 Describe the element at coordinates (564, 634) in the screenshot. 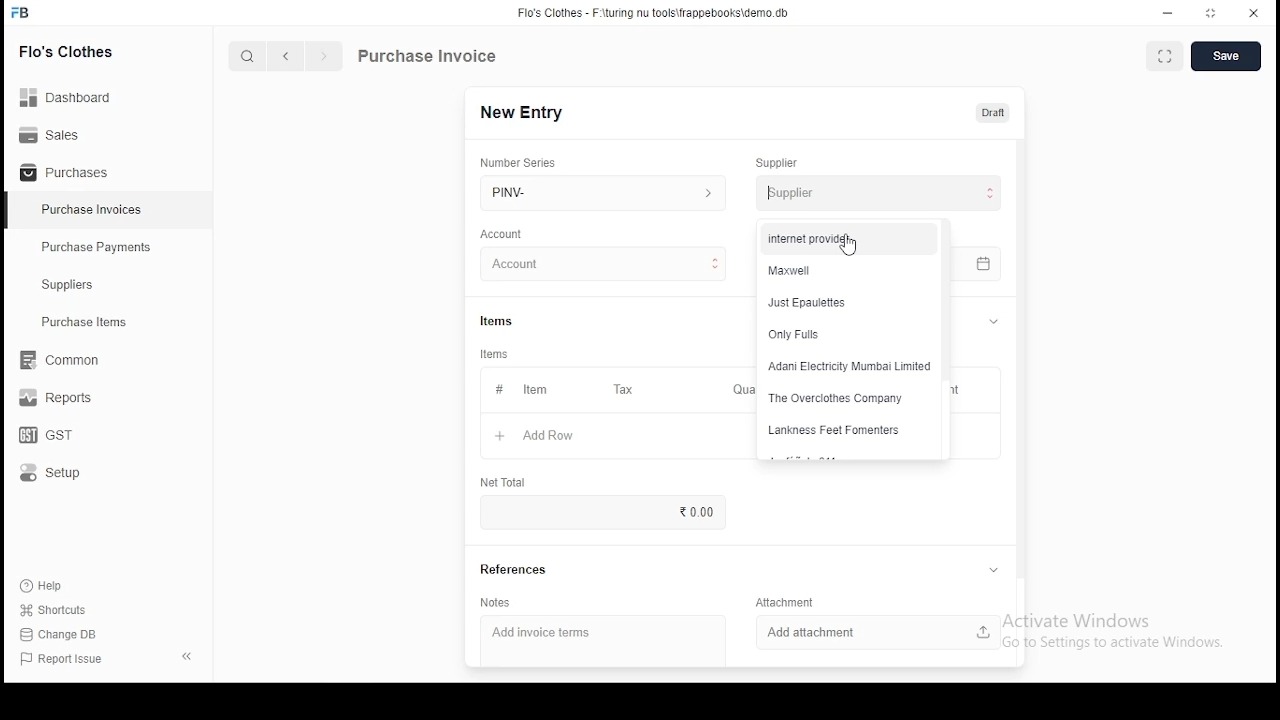

I see `add invoice items` at that location.